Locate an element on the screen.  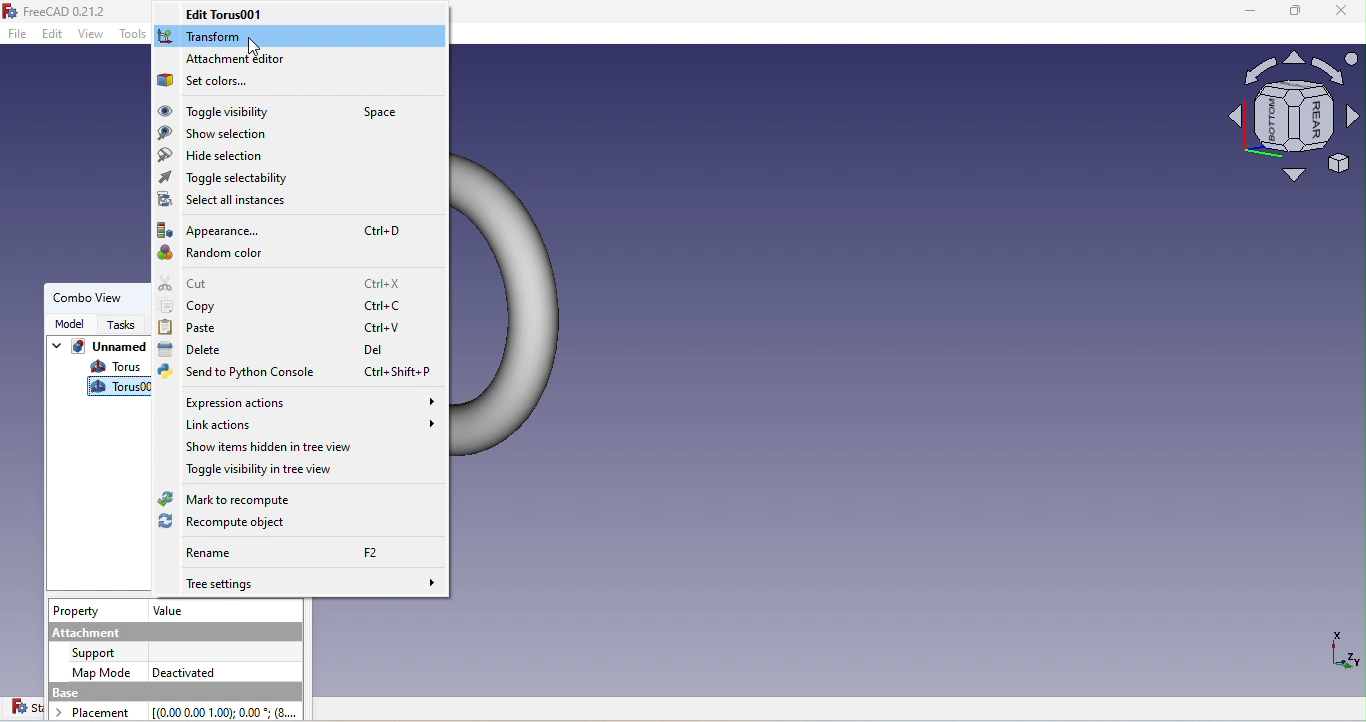
Map Mode is located at coordinates (103, 671).